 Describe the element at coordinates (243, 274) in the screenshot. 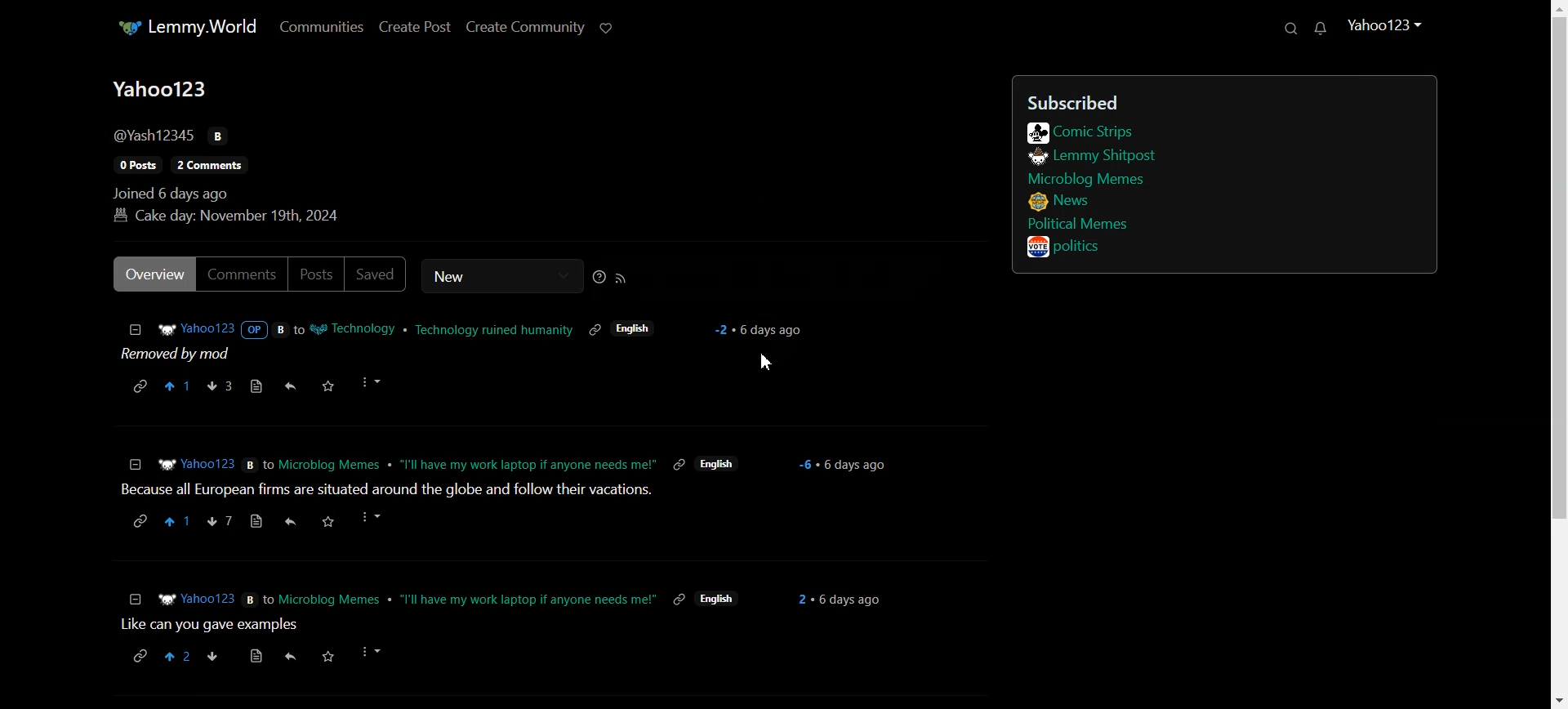

I see `Comments` at that location.